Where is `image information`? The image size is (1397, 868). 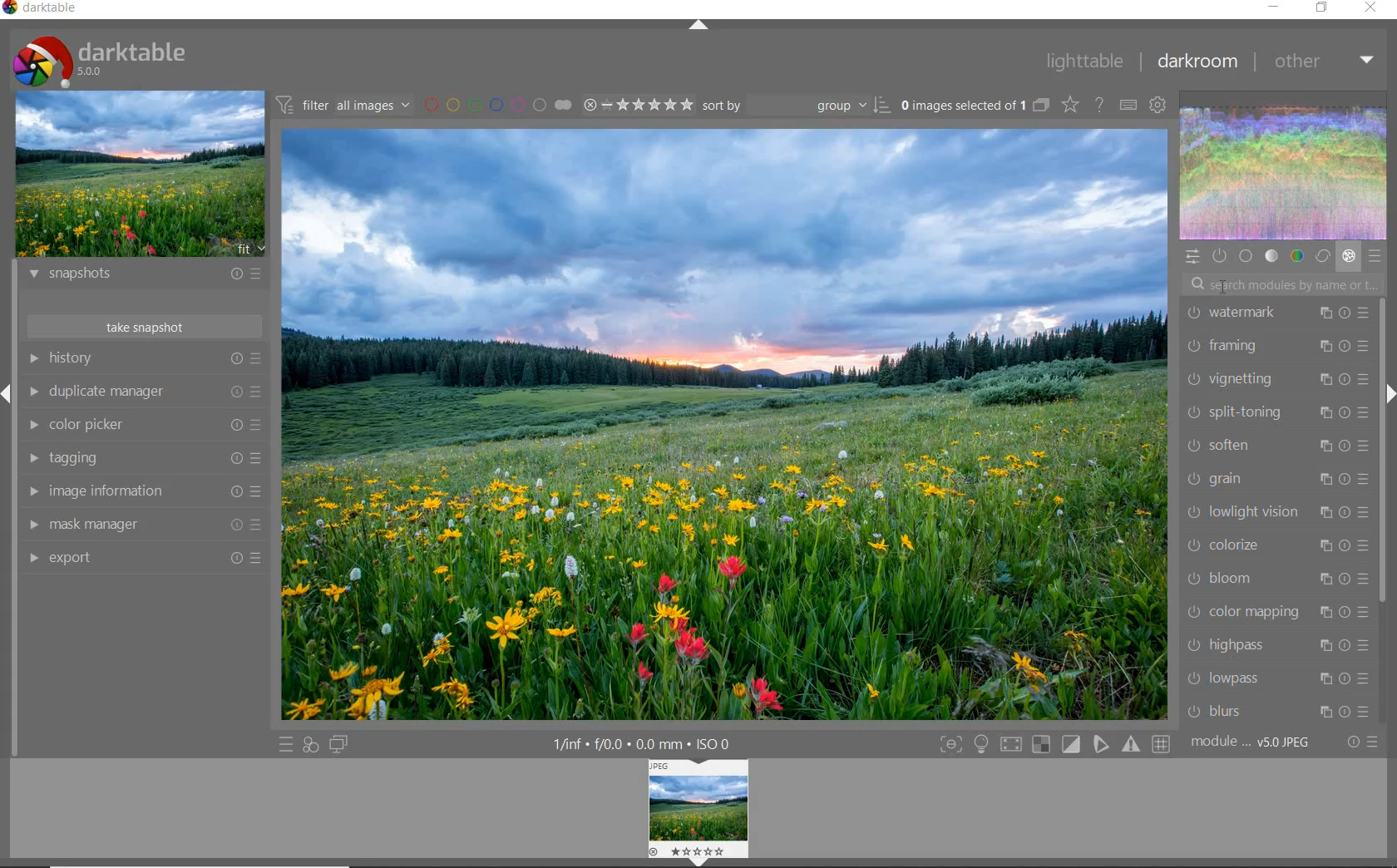 image information is located at coordinates (143, 491).